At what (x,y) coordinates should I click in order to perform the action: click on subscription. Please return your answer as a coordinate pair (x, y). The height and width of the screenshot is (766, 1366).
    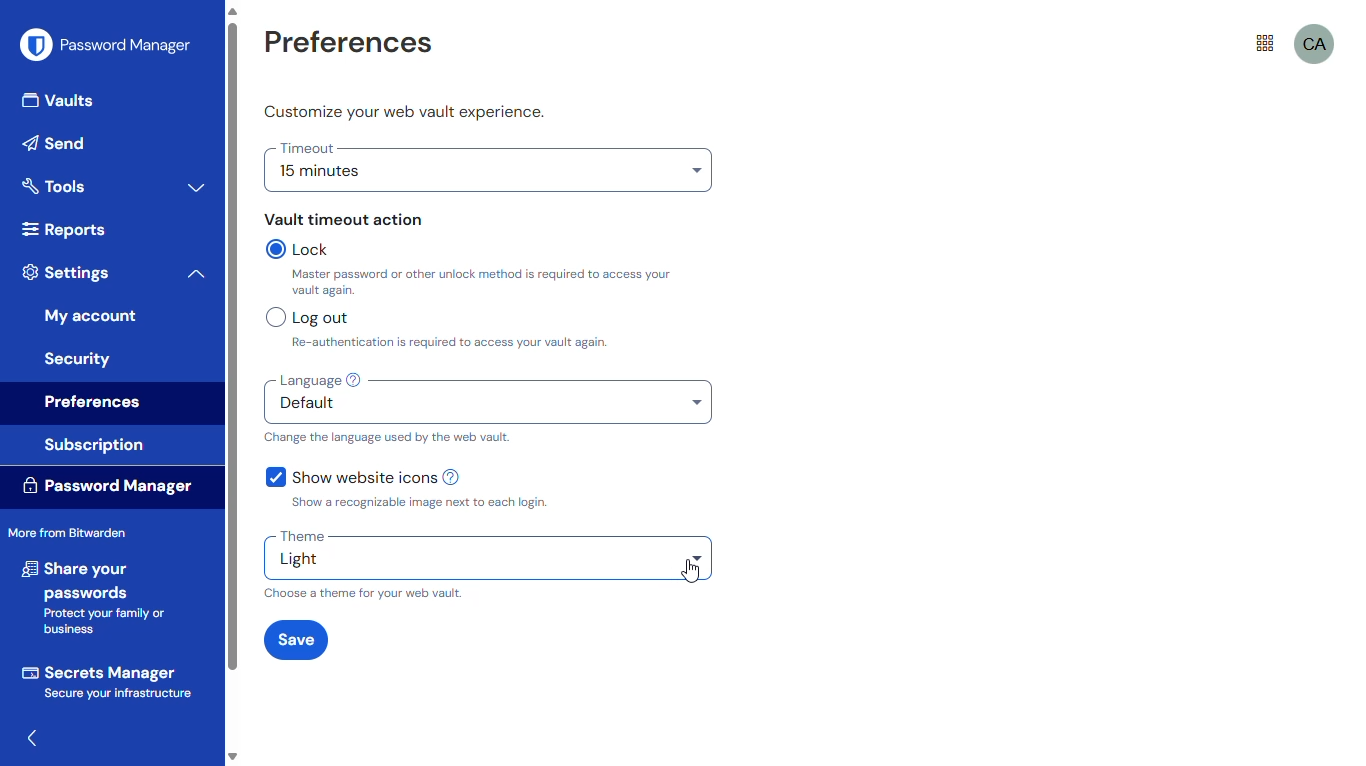
    Looking at the image, I should click on (95, 446).